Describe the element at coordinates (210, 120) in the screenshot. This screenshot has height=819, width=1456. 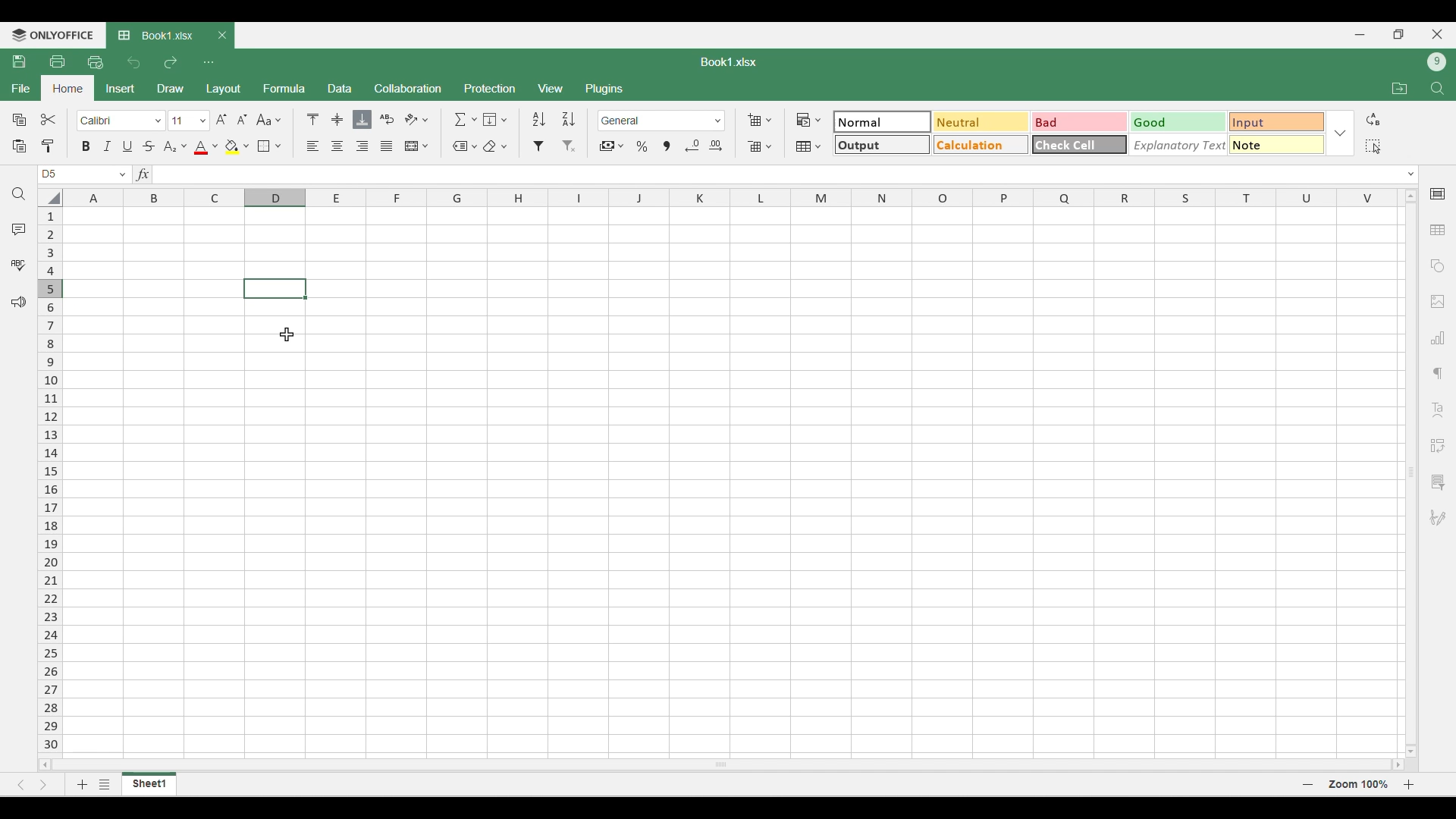
I see `Text size settings` at that location.